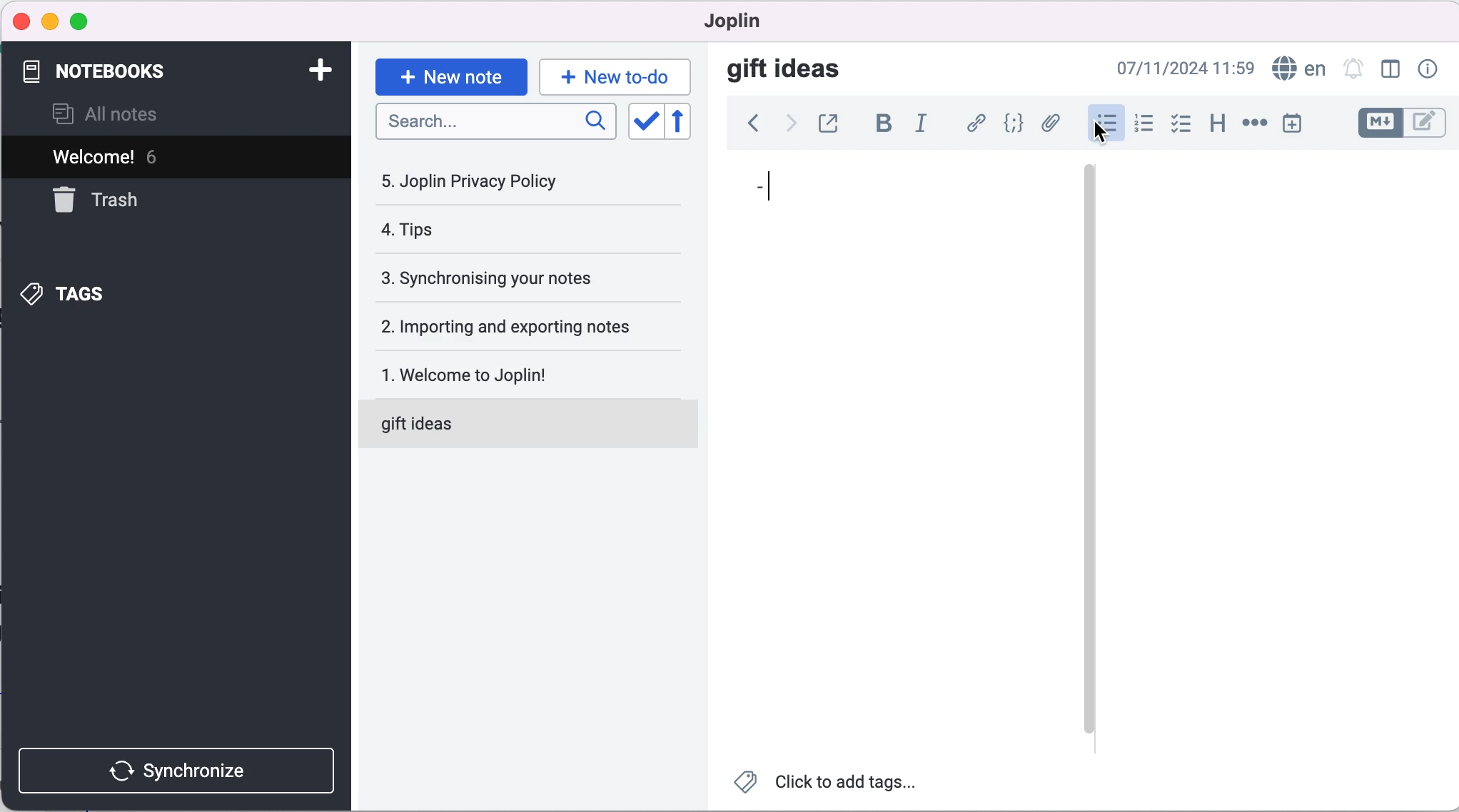  Describe the element at coordinates (86, 20) in the screenshot. I see `maximize` at that location.